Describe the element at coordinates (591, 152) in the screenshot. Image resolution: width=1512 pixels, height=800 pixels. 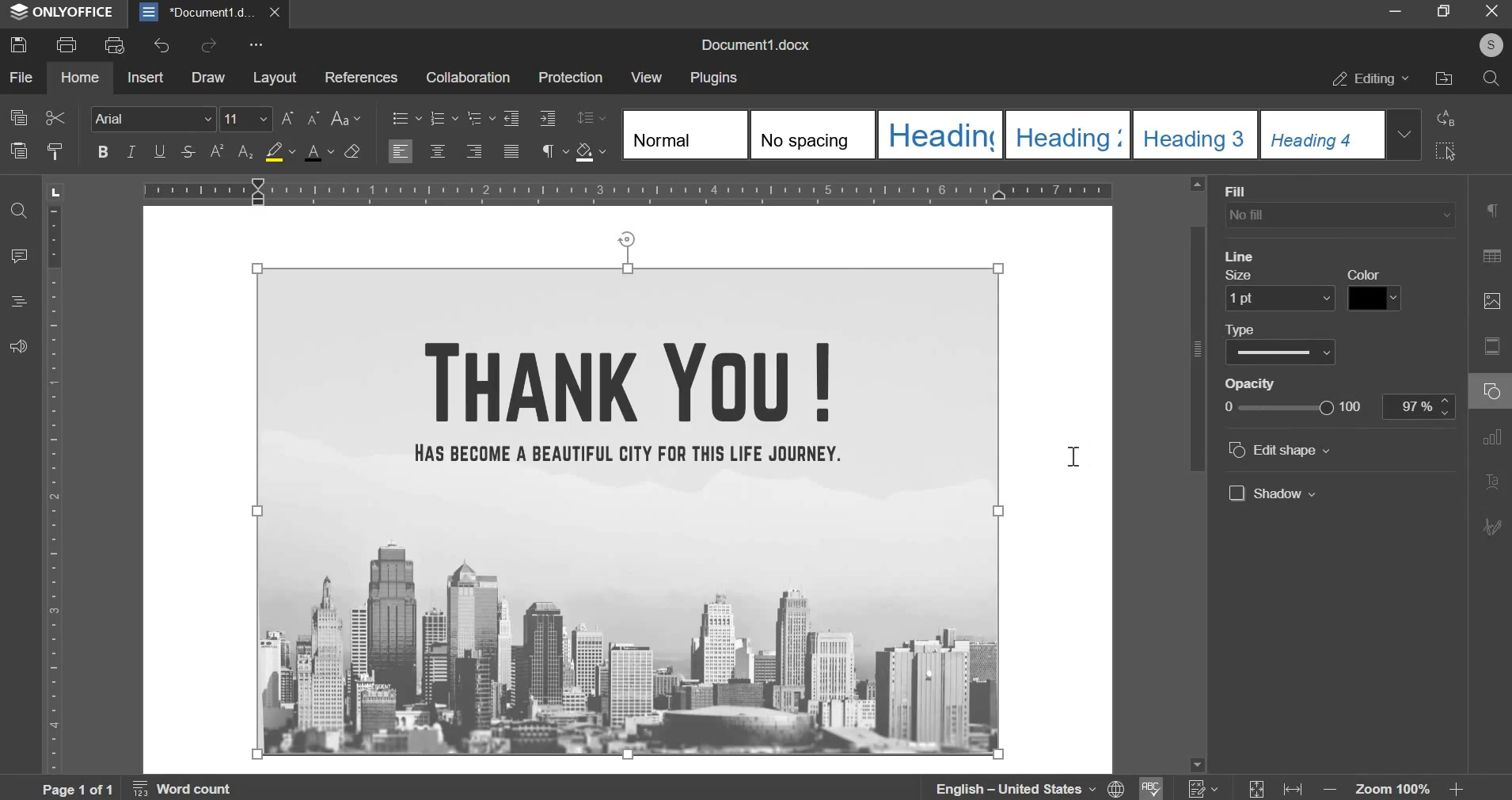
I see `shading` at that location.